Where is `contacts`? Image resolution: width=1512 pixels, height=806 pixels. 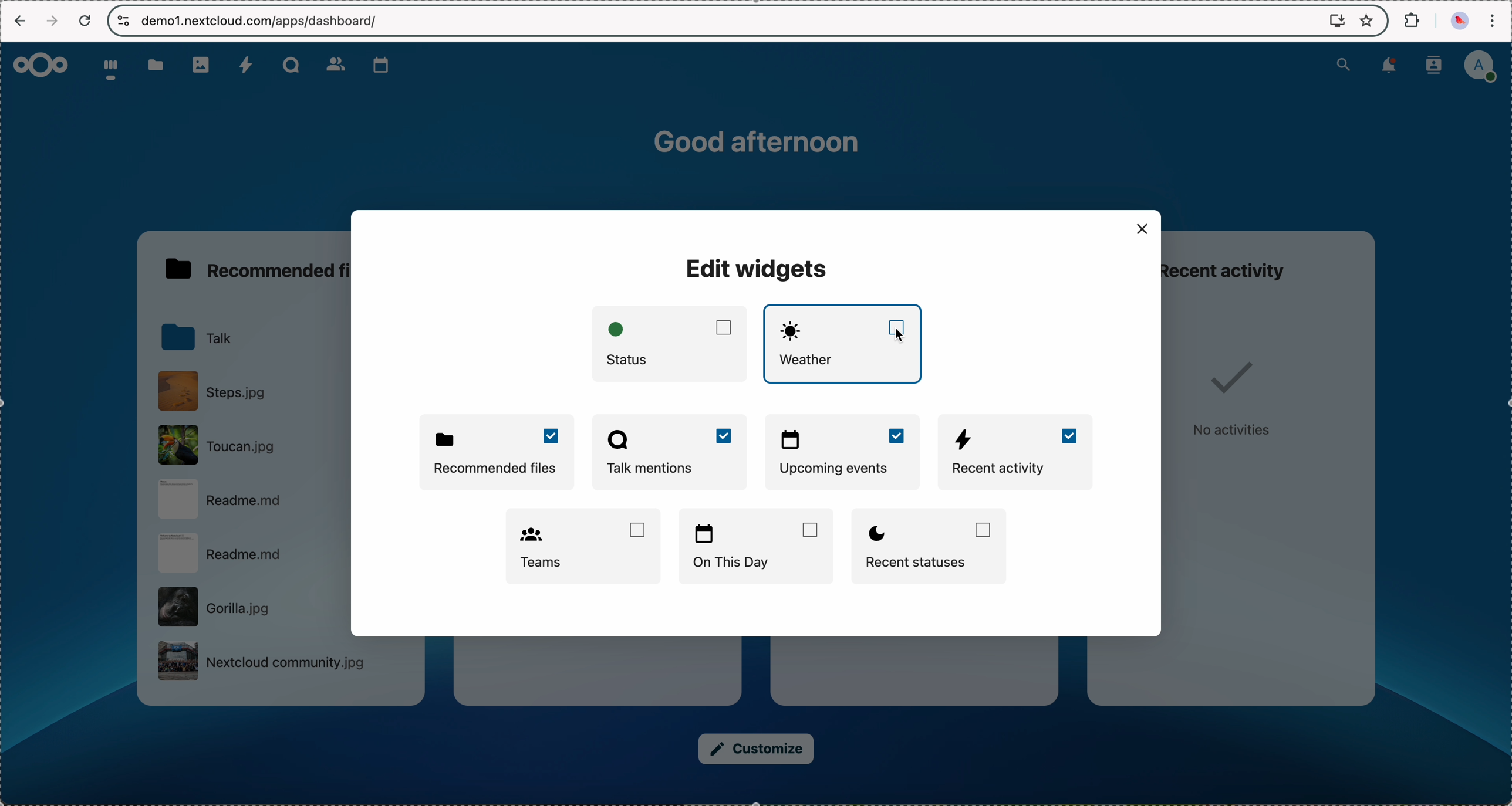
contacts is located at coordinates (1435, 66).